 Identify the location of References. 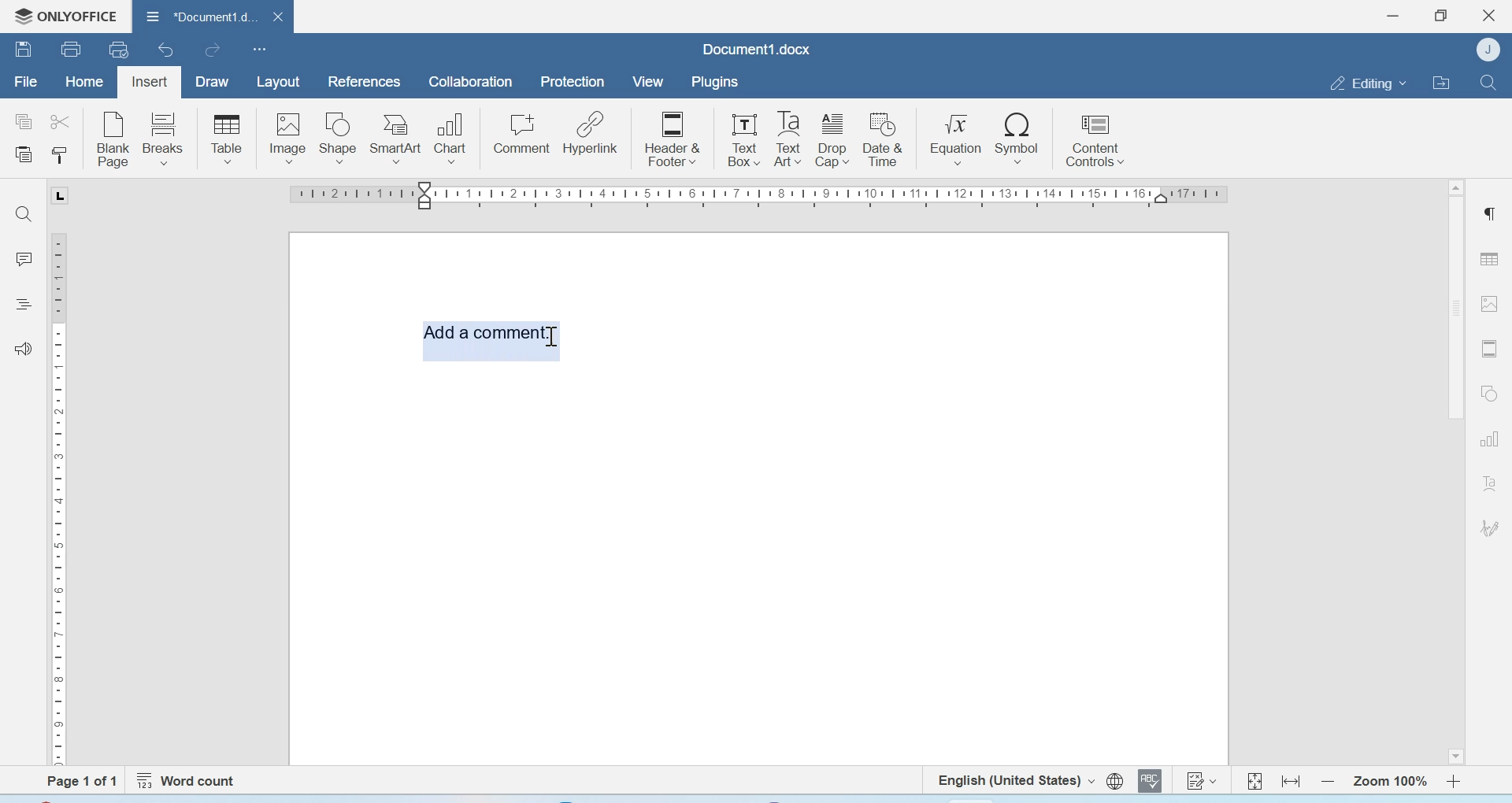
(365, 81).